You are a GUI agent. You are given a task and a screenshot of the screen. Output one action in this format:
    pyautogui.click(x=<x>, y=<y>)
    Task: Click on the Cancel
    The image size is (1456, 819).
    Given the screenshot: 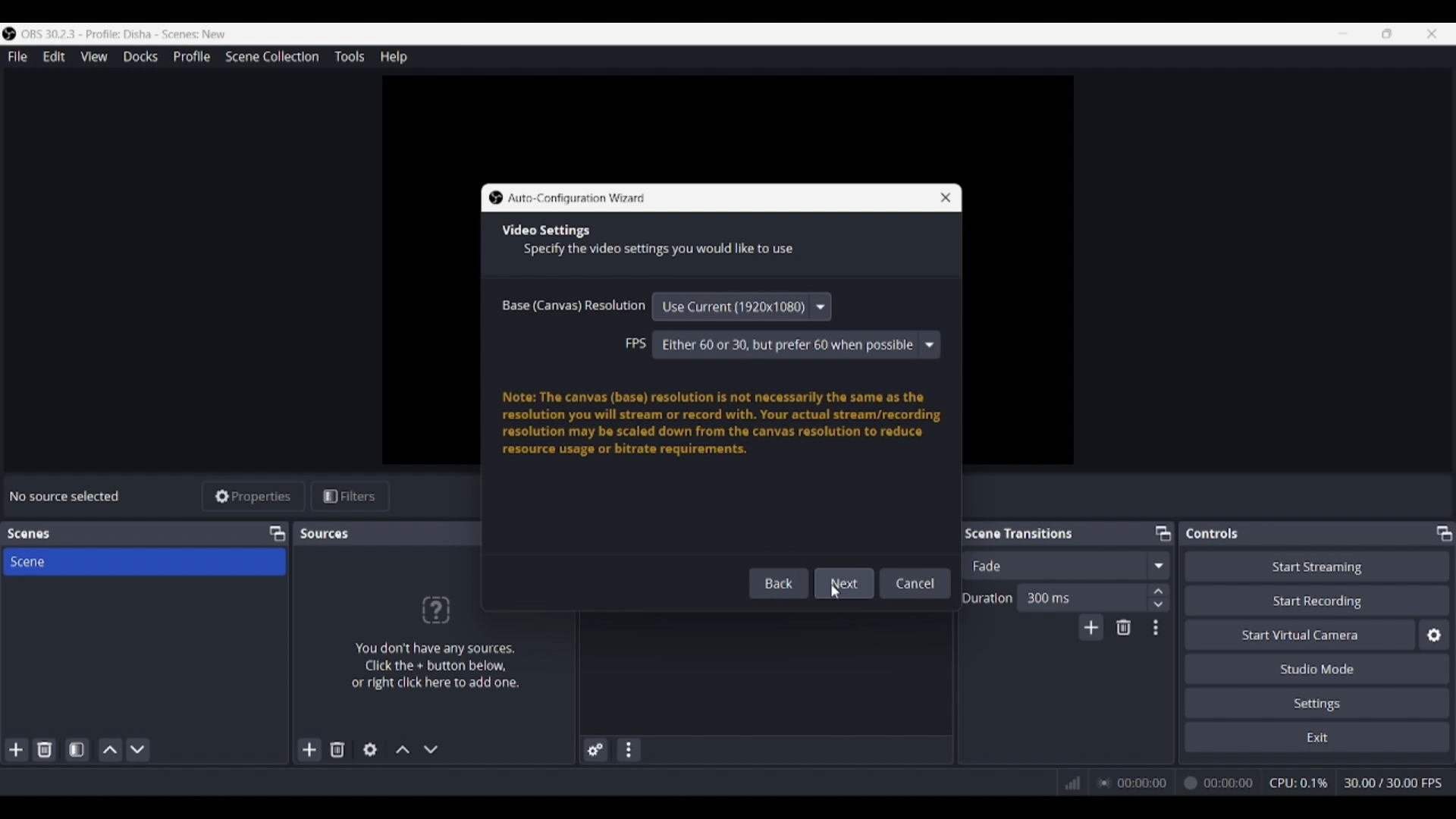 What is the action you would take?
    pyautogui.click(x=910, y=583)
    